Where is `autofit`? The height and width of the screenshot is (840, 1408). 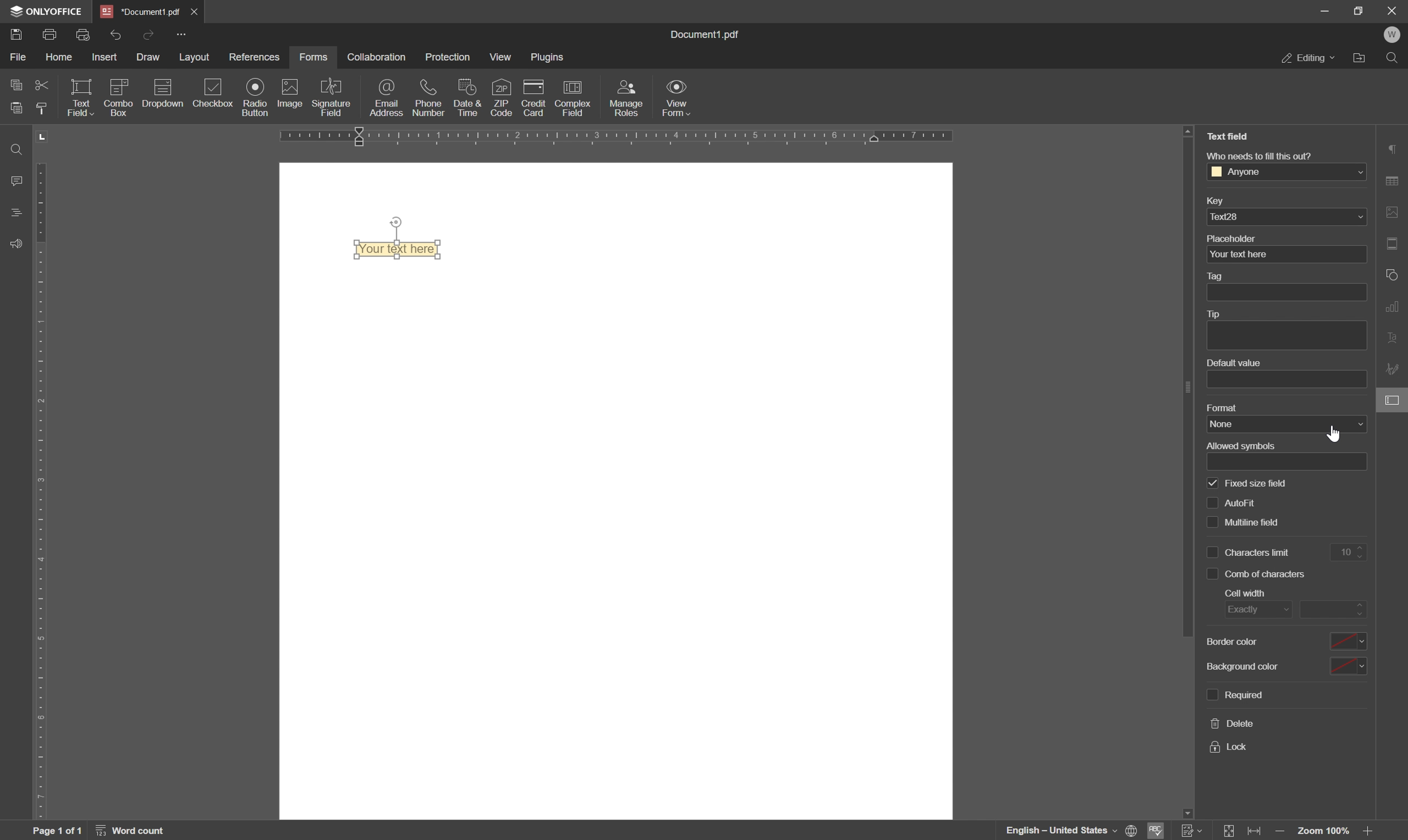 autofit is located at coordinates (1231, 504).